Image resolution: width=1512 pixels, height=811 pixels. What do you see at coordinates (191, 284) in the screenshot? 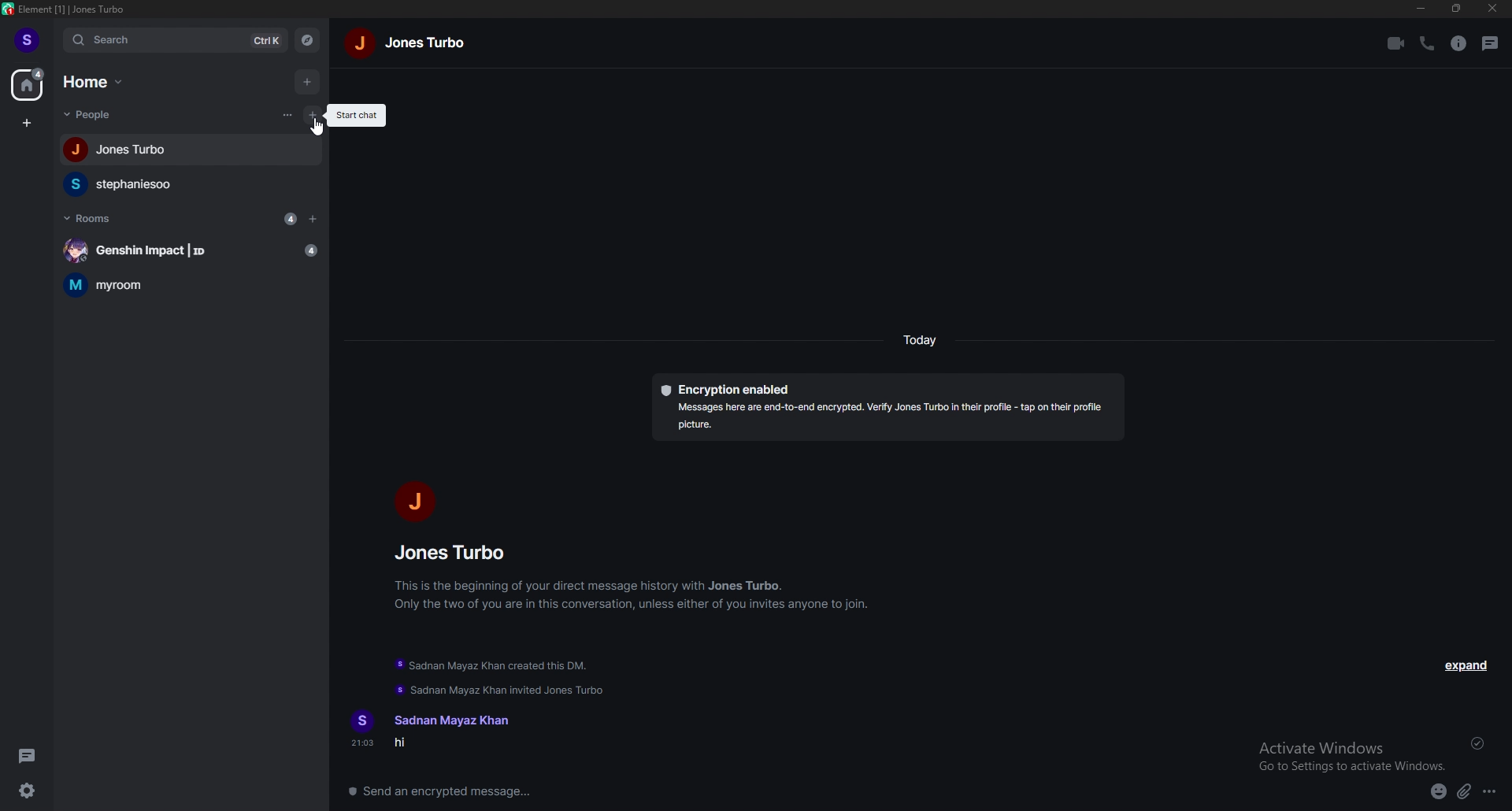
I see `myroom` at bounding box center [191, 284].